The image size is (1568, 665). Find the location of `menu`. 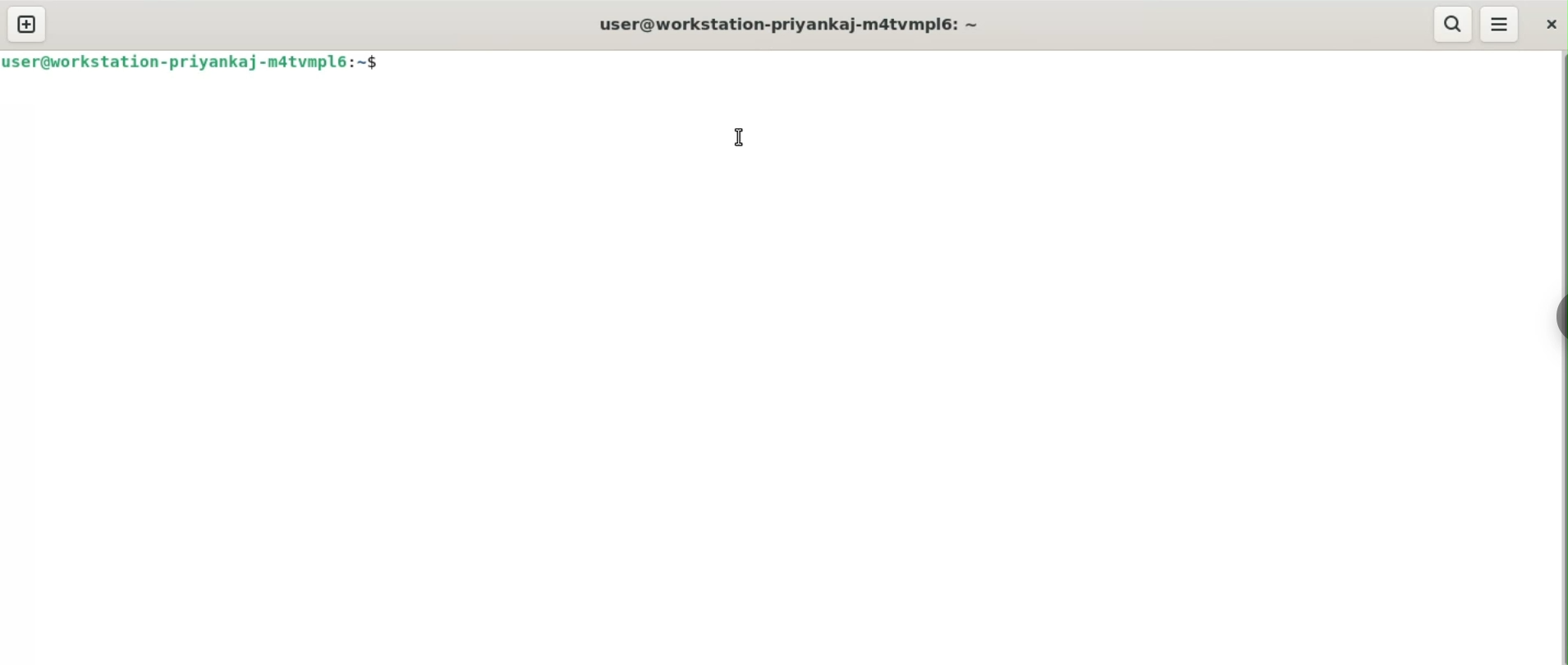

menu is located at coordinates (1500, 23).